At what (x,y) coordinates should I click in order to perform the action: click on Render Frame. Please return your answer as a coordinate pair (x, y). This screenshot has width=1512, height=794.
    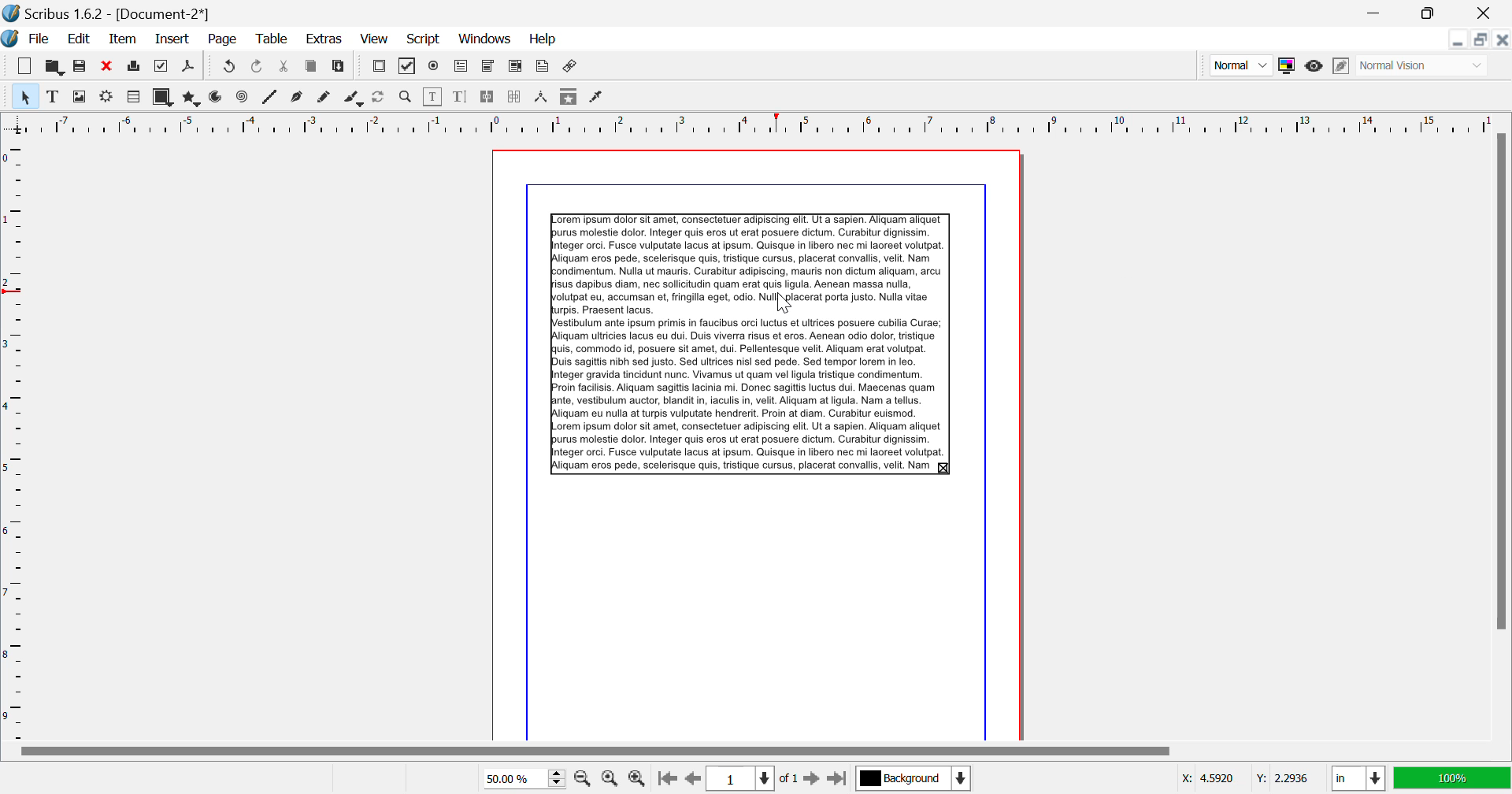
    Looking at the image, I should click on (132, 98).